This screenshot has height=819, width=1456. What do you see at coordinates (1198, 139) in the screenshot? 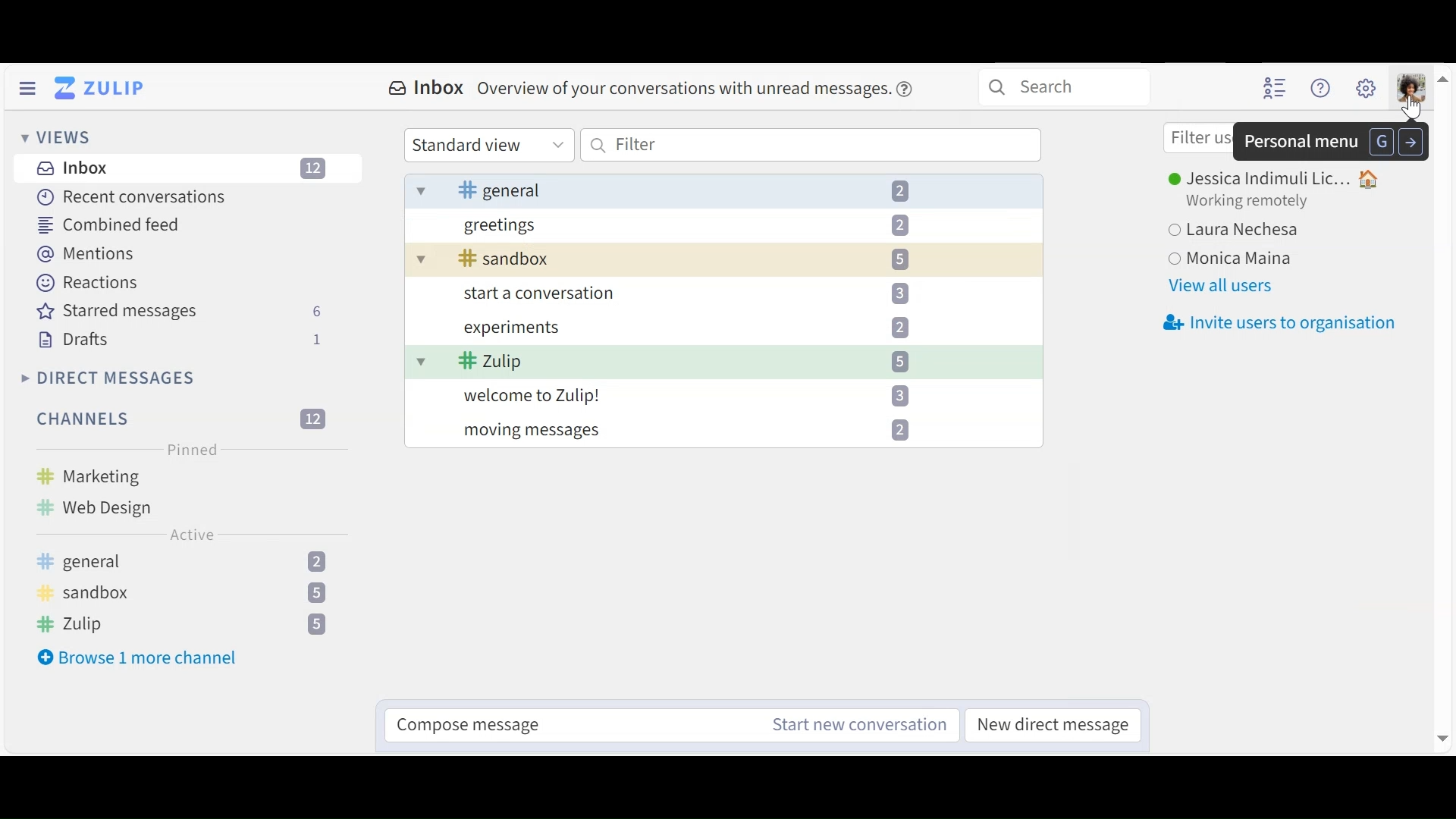
I see `Filter user` at bounding box center [1198, 139].